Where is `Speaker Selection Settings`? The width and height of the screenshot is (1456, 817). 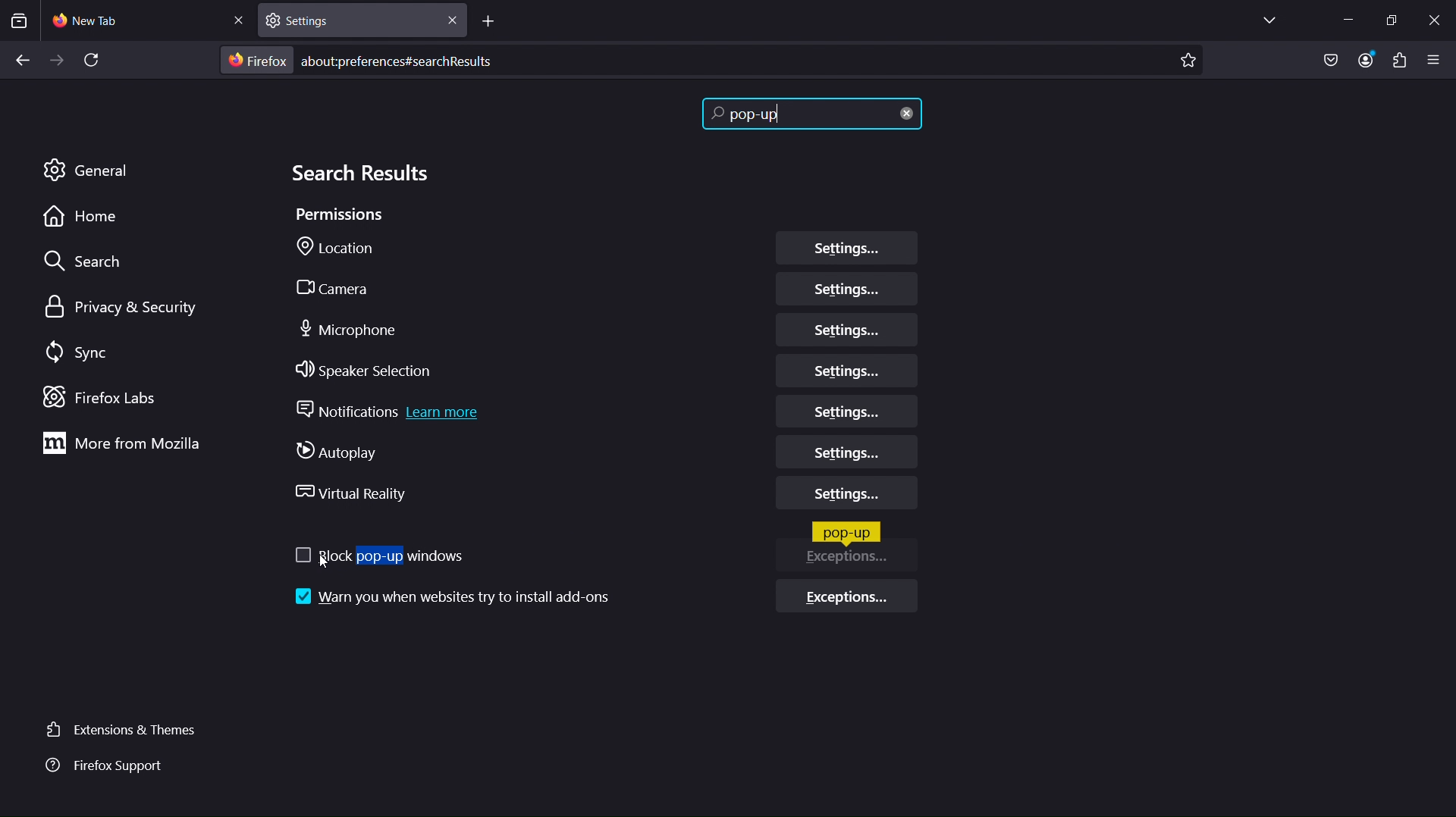 Speaker Selection Settings is located at coordinates (846, 370).